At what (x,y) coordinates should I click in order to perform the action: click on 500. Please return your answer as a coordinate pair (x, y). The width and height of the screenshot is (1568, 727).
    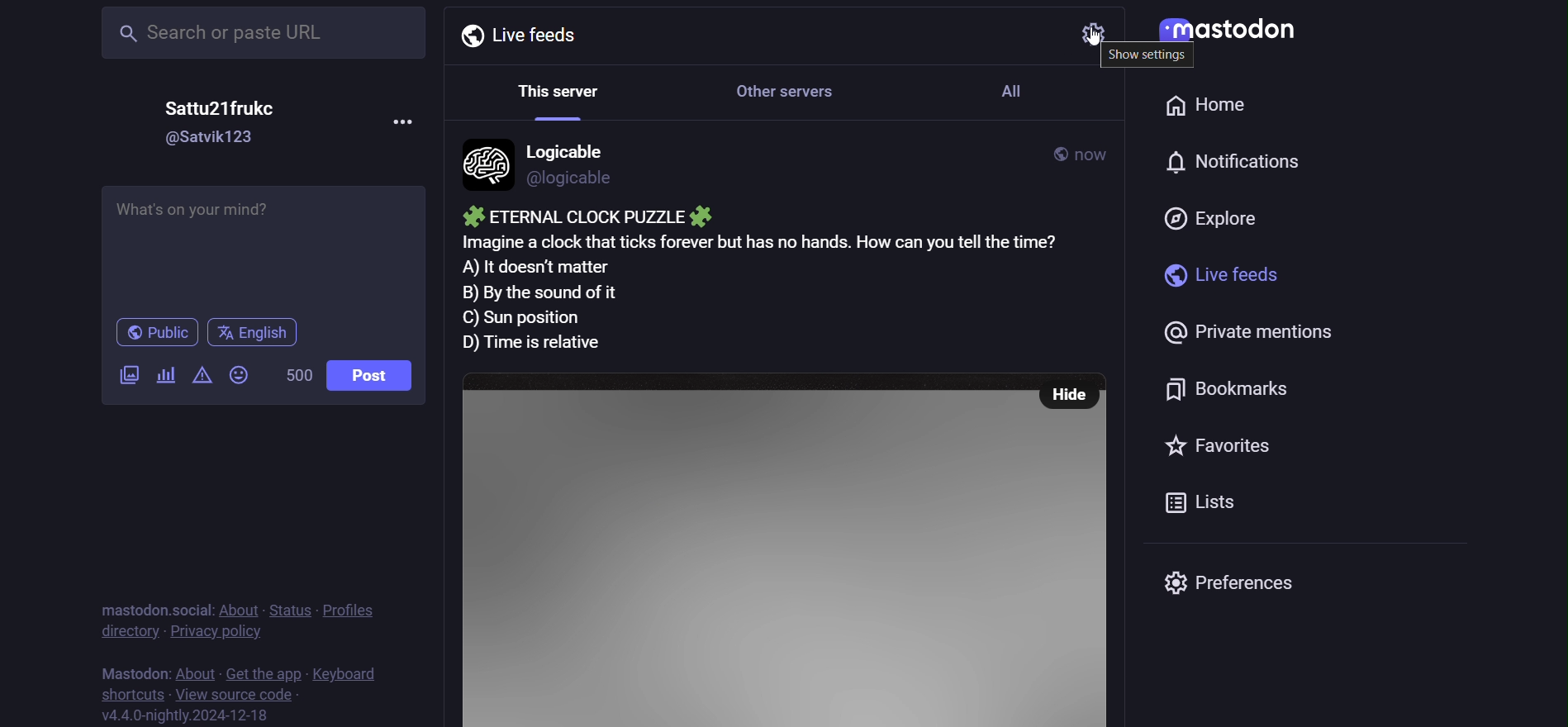
    Looking at the image, I should click on (295, 374).